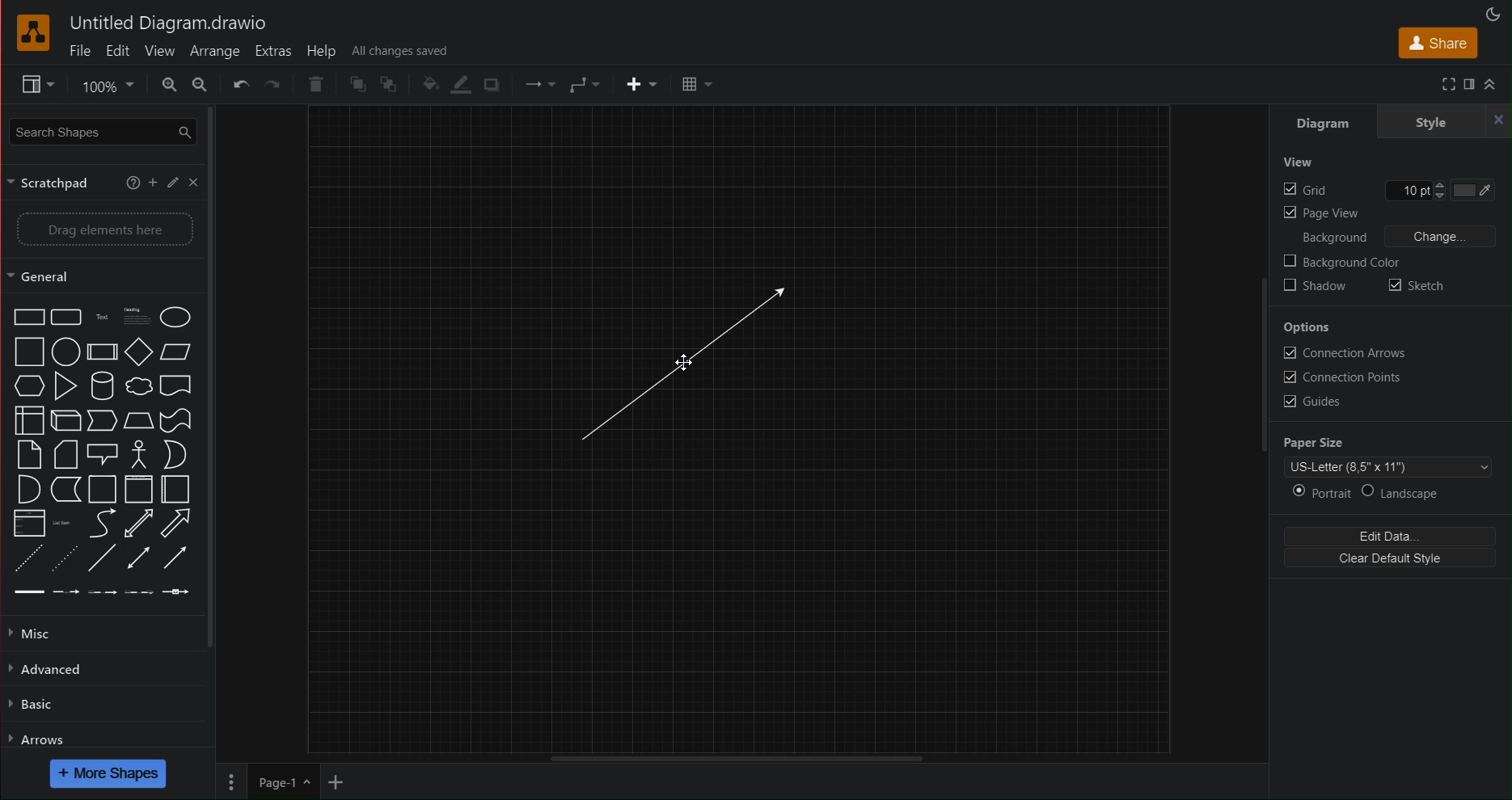  What do you see at coordinates (688, 360) in the screenshot?
I see `cursor` at bounding box center [688, 360].